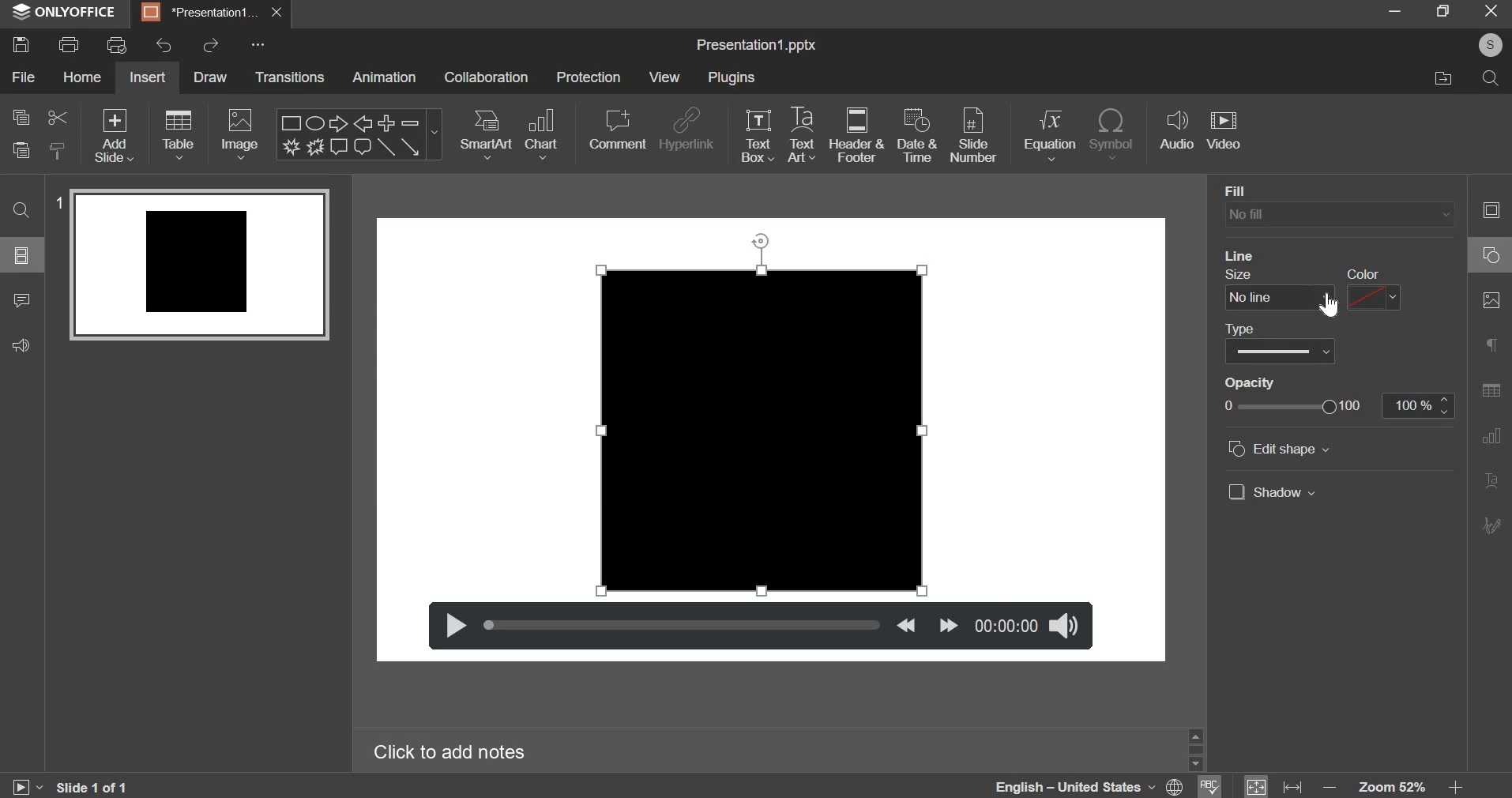 The image size is (1512, 798). Describe the element at coordinates (731, 77) in the screenshot. I see `plugins` at that location.